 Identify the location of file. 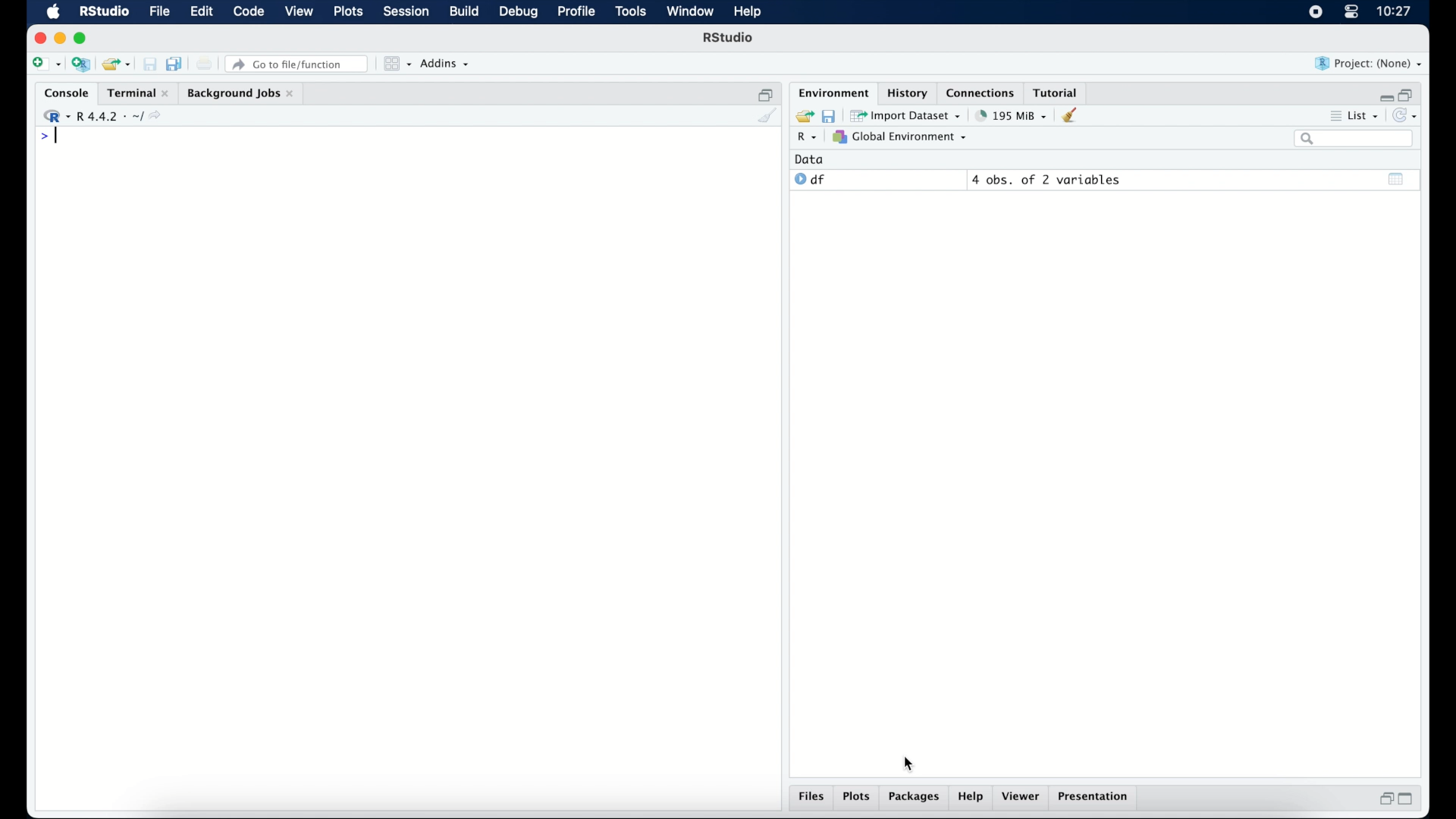
(158, 12).